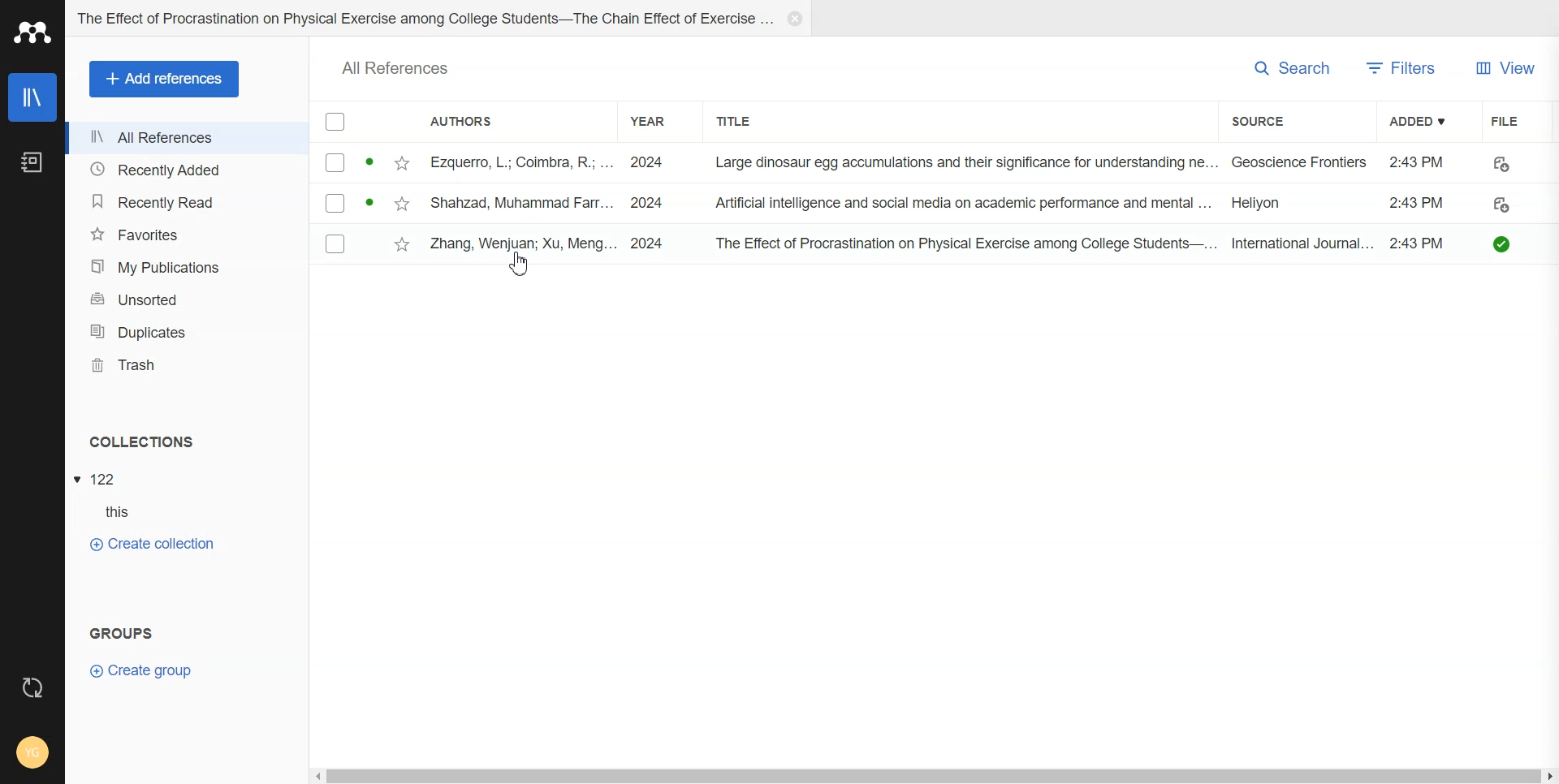 The height and width of the screenshot is (784, 1559). Describe the element at coordinates (966, 163) in the screenshot. I see `Large dinosaur egg accumulations and their significance for understanding ne.` at that location.